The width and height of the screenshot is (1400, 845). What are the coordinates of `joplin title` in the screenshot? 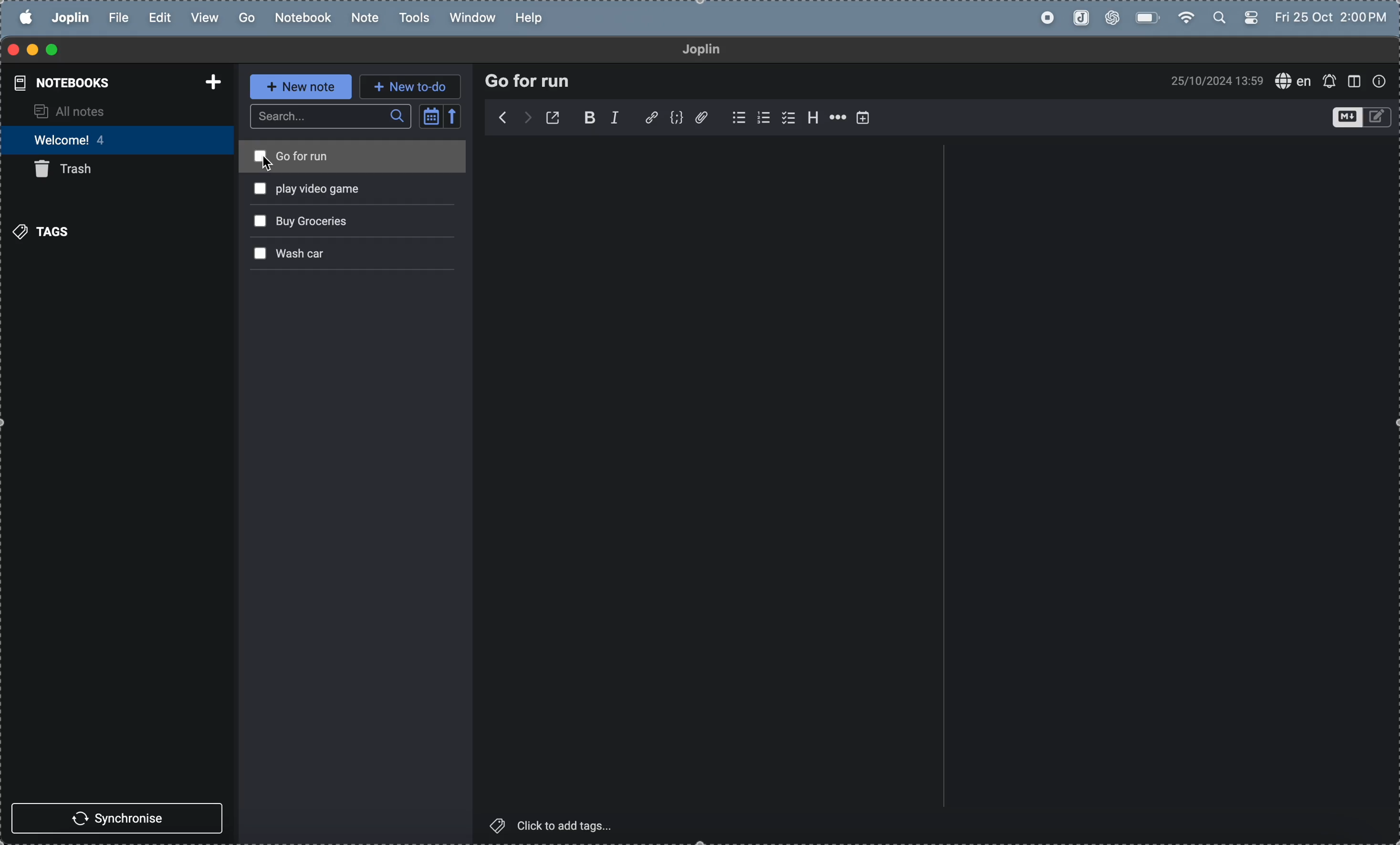 It's located at (719, 51).